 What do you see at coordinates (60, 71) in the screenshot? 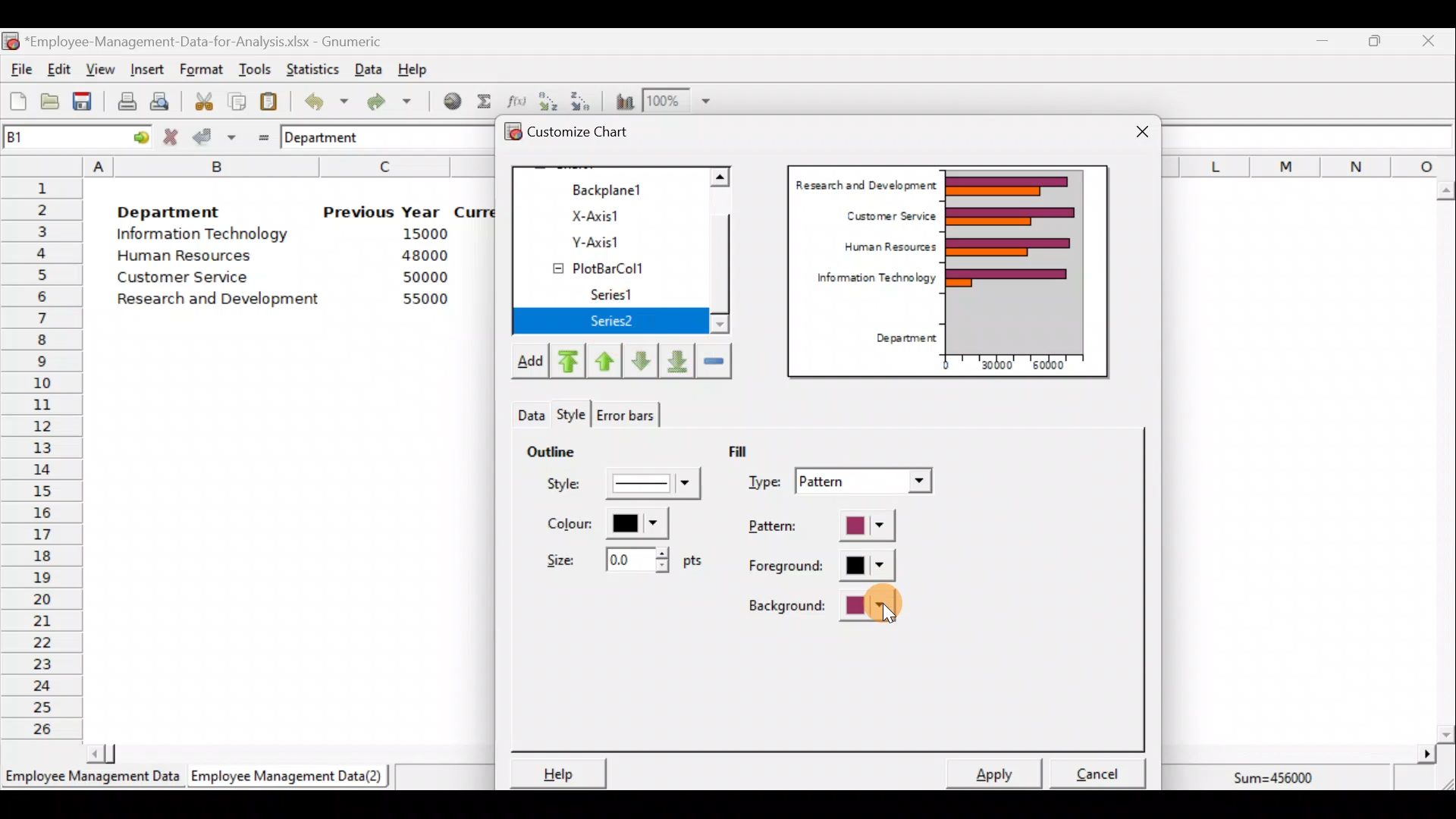
I see `Edit` at bounding box center [60, 71].